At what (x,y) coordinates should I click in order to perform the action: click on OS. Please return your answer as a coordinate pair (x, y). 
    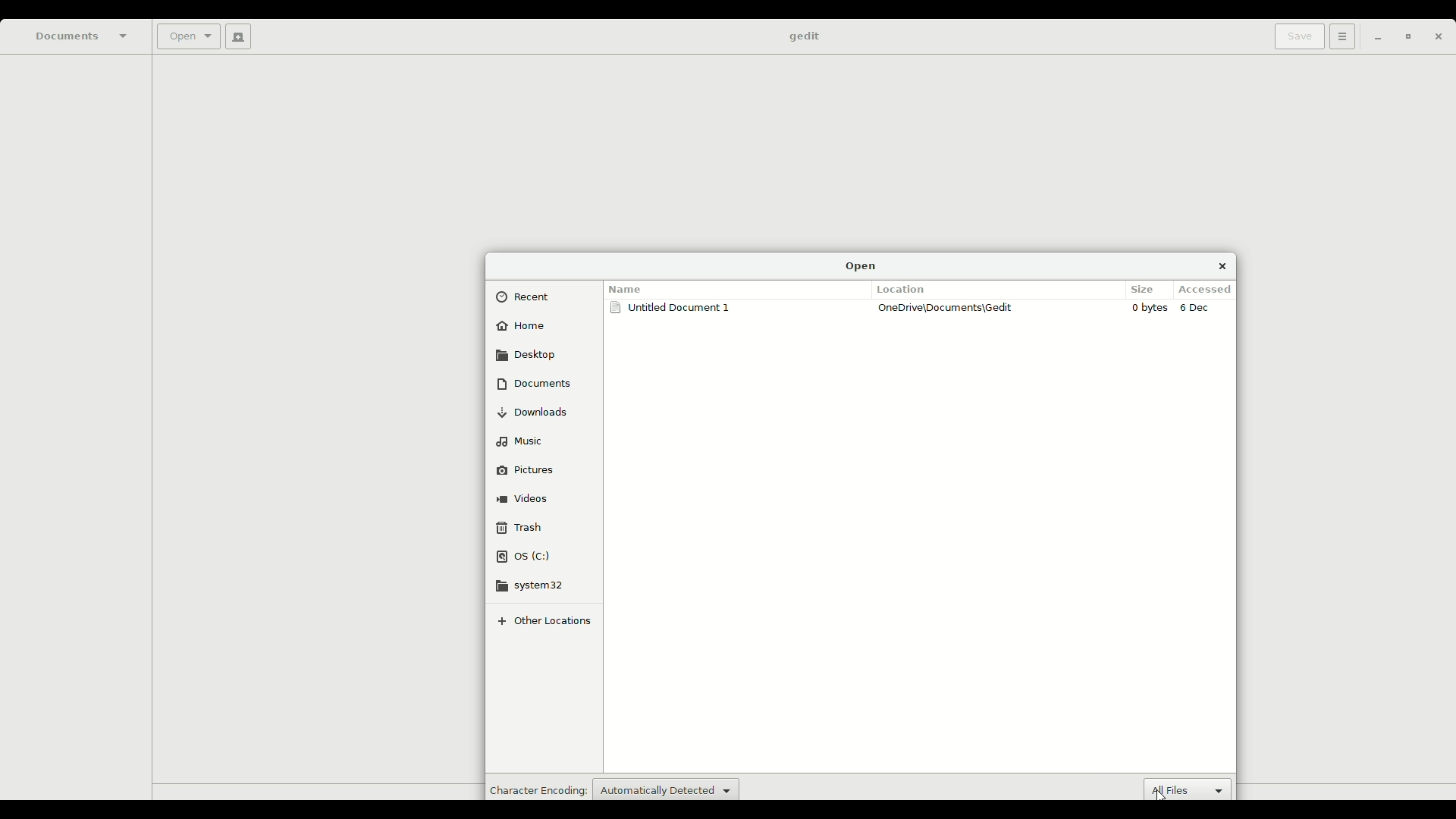
    Looking at the image, I should click on (526, 557).